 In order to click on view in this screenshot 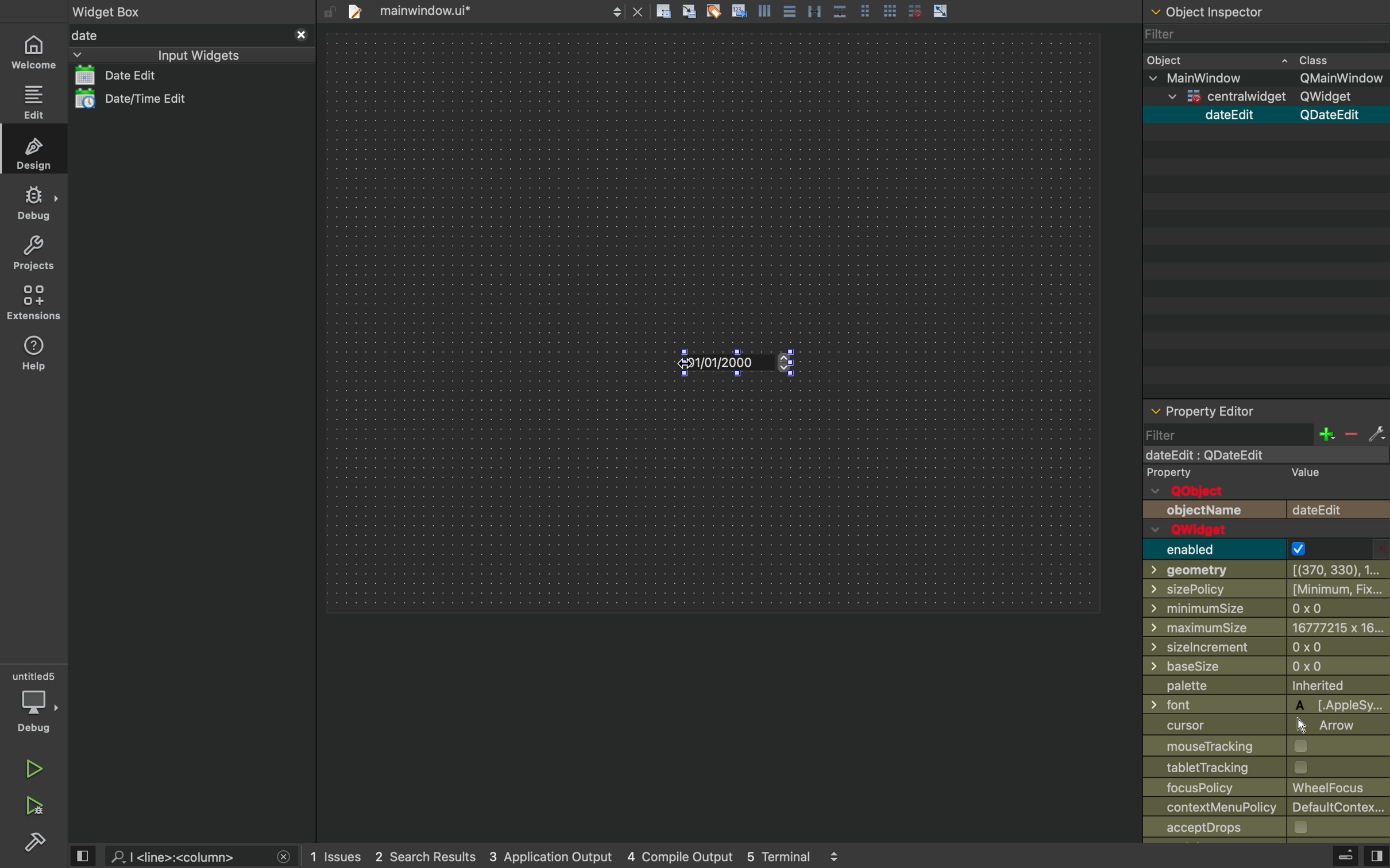, I will do `click(1376, 854)`.